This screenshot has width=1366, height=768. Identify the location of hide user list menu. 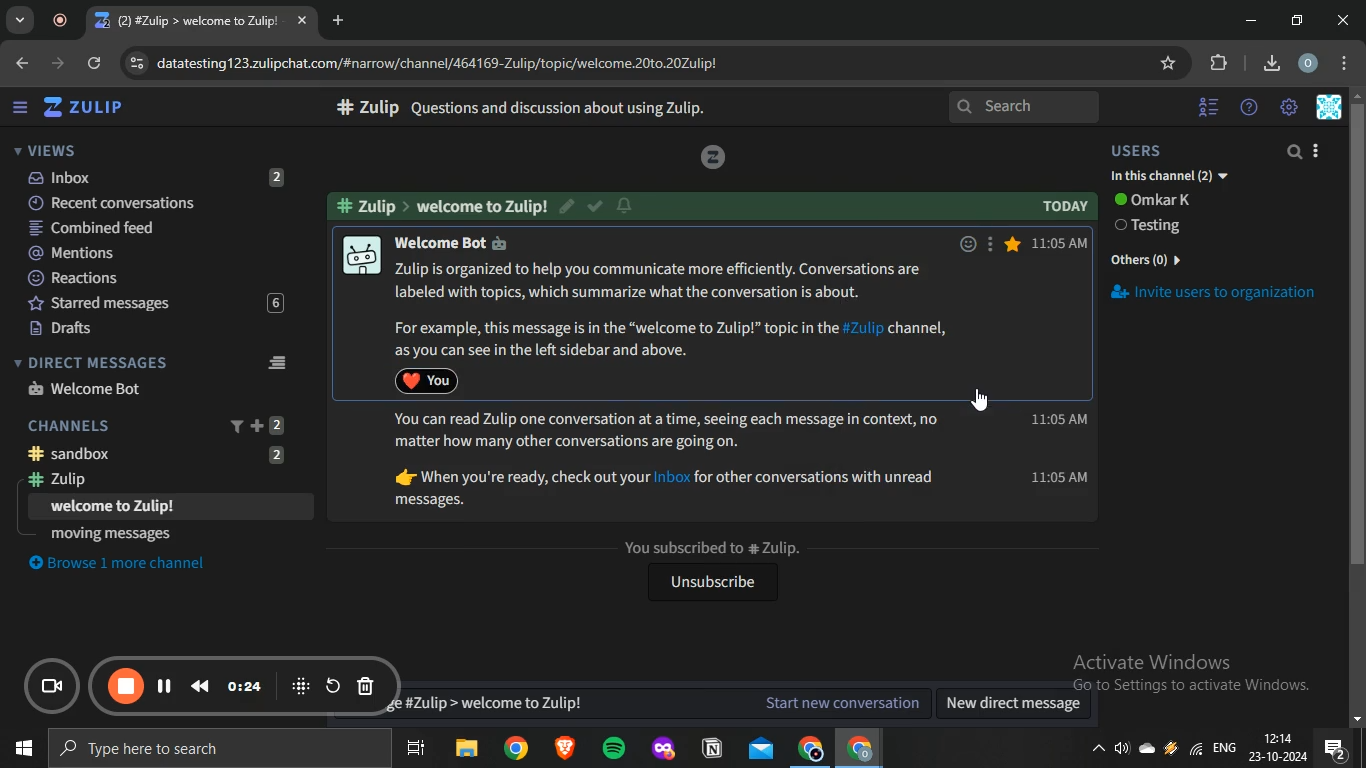
(1209, 104).